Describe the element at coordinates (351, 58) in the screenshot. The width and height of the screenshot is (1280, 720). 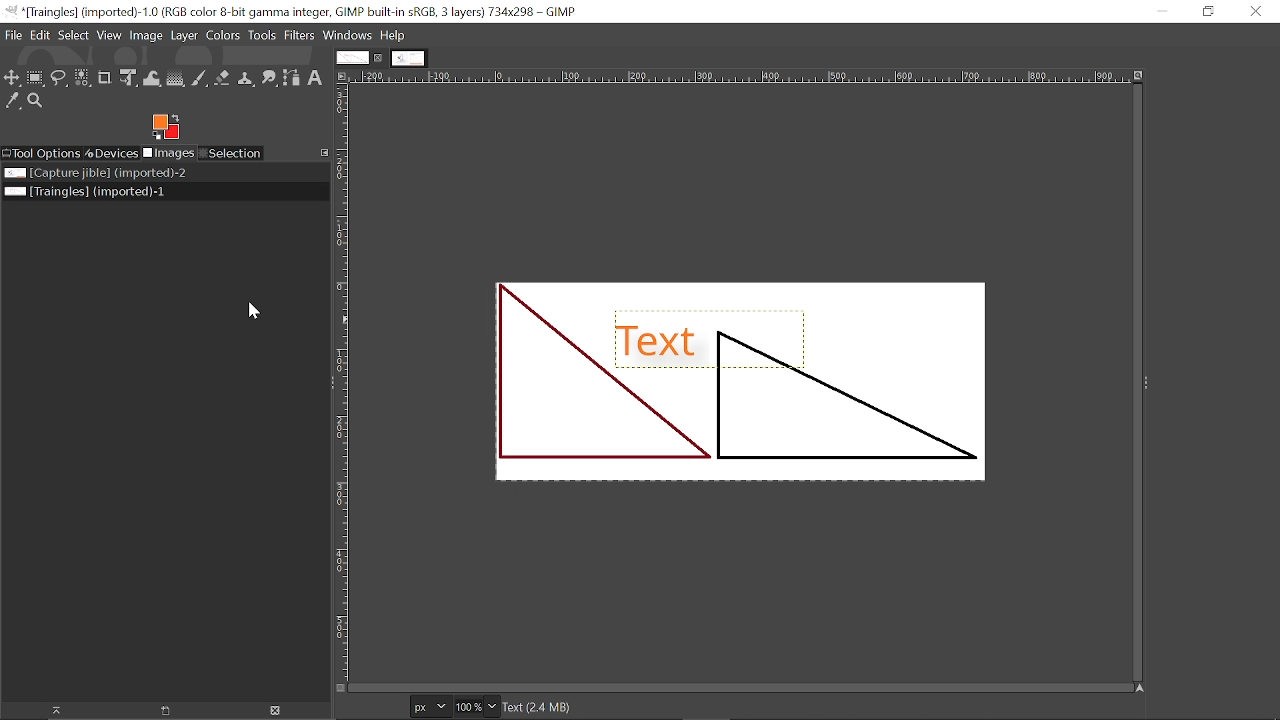
I see `Current tab` at that location.